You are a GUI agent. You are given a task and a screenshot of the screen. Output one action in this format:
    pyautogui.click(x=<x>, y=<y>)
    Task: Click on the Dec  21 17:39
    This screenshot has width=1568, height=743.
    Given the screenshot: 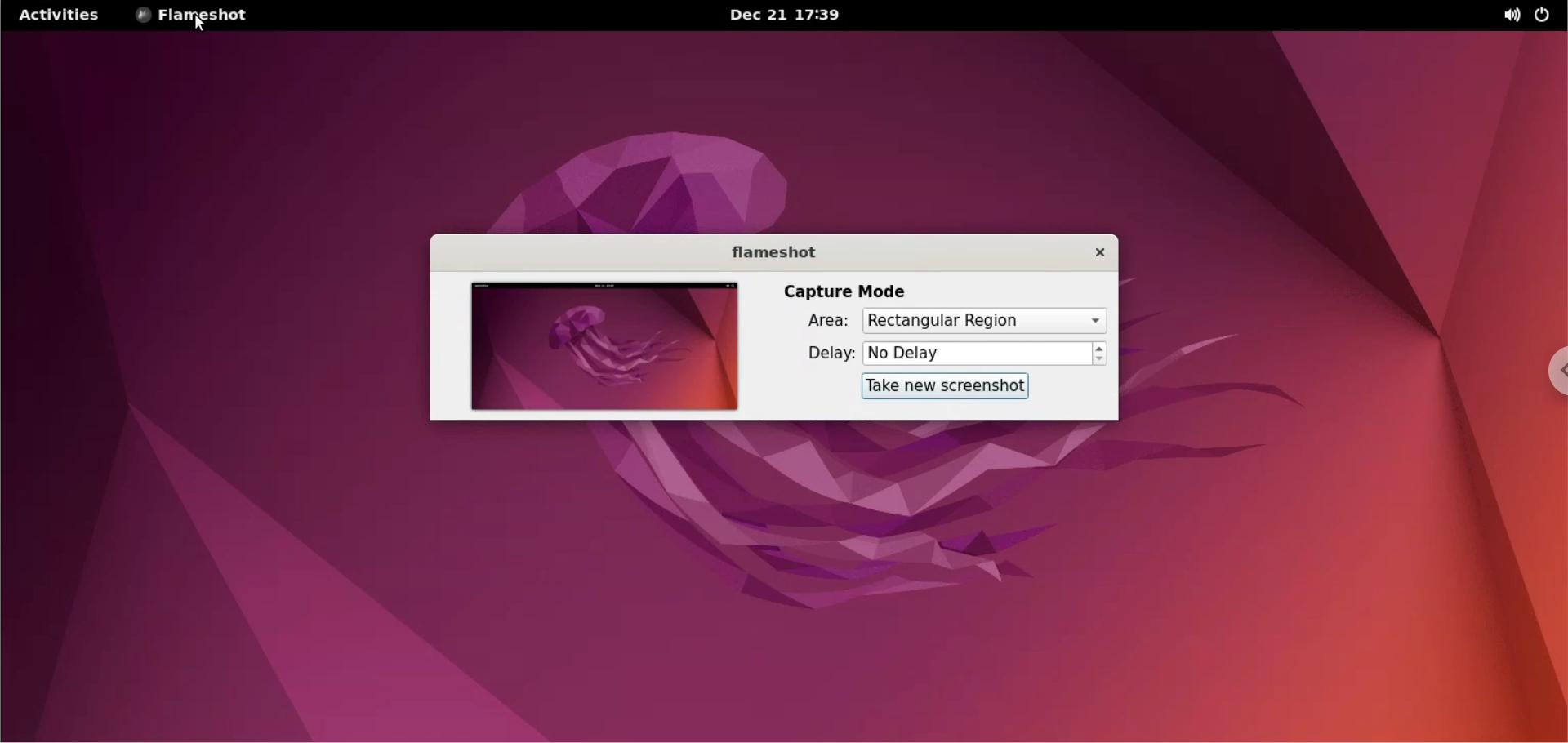 What is the action you would take?
    pyautogui.click(x=788, y=16)
    